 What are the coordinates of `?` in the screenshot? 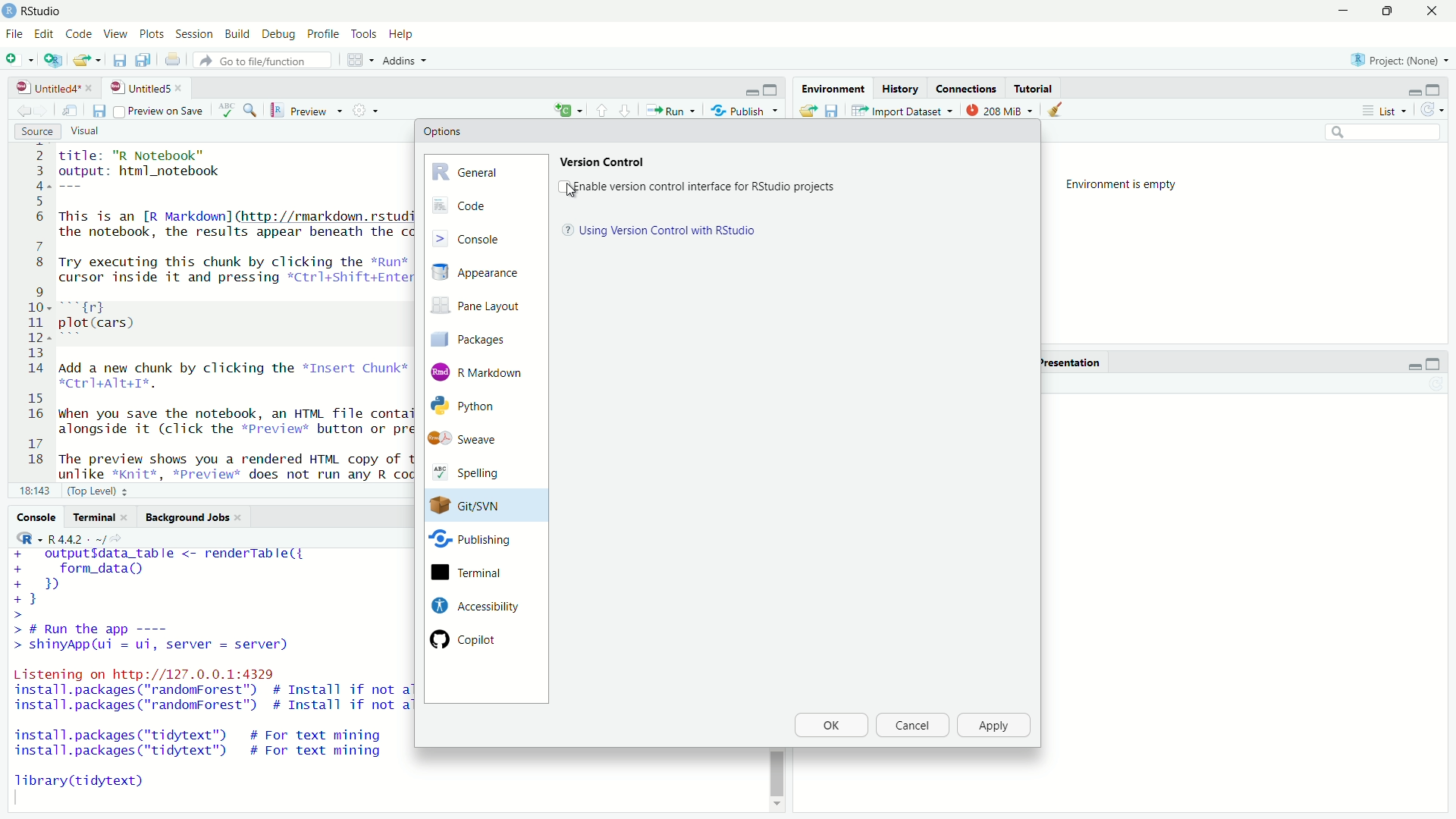 It's located at (566, 231).